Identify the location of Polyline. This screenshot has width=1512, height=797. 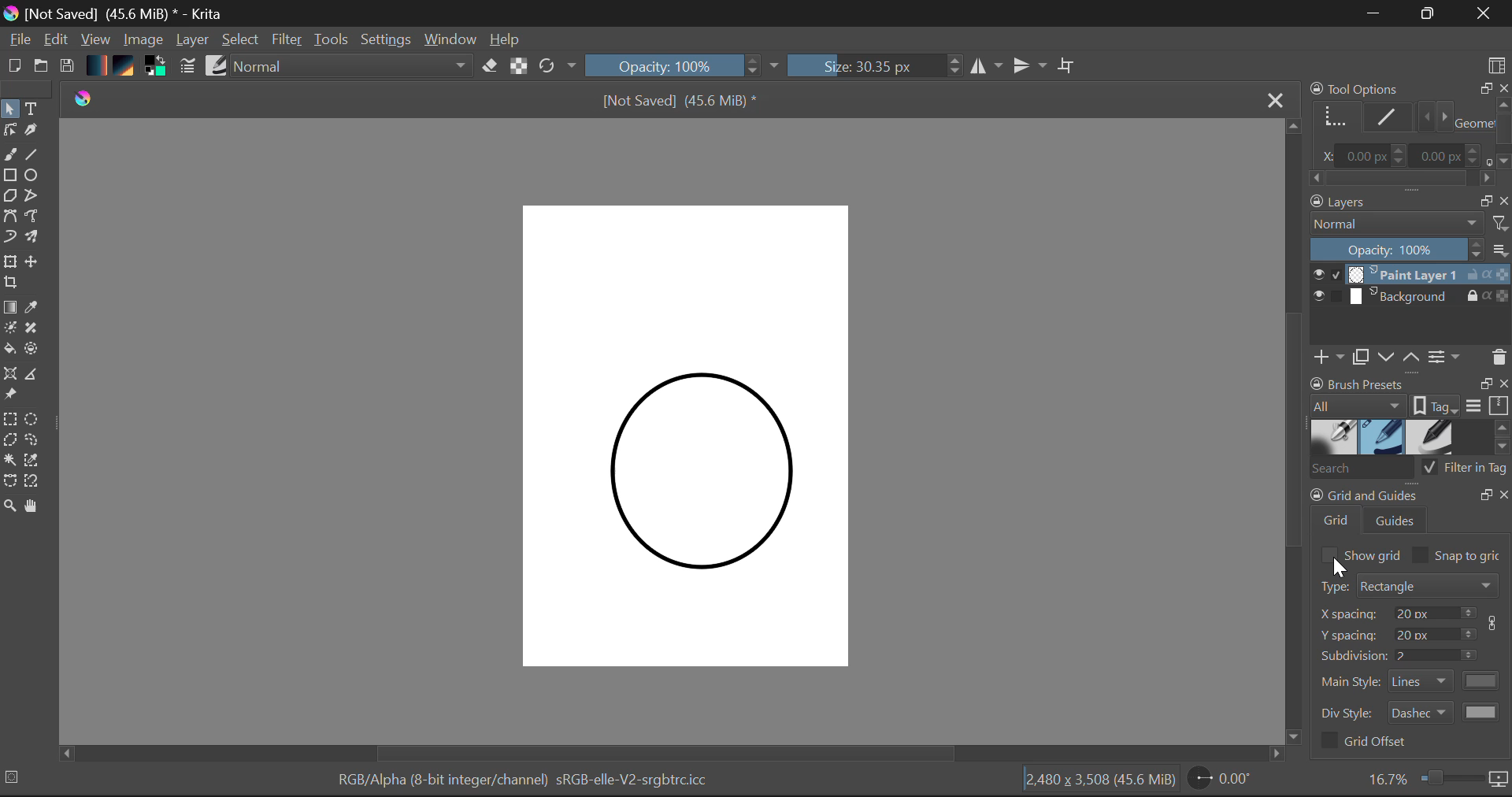
(32, 194).